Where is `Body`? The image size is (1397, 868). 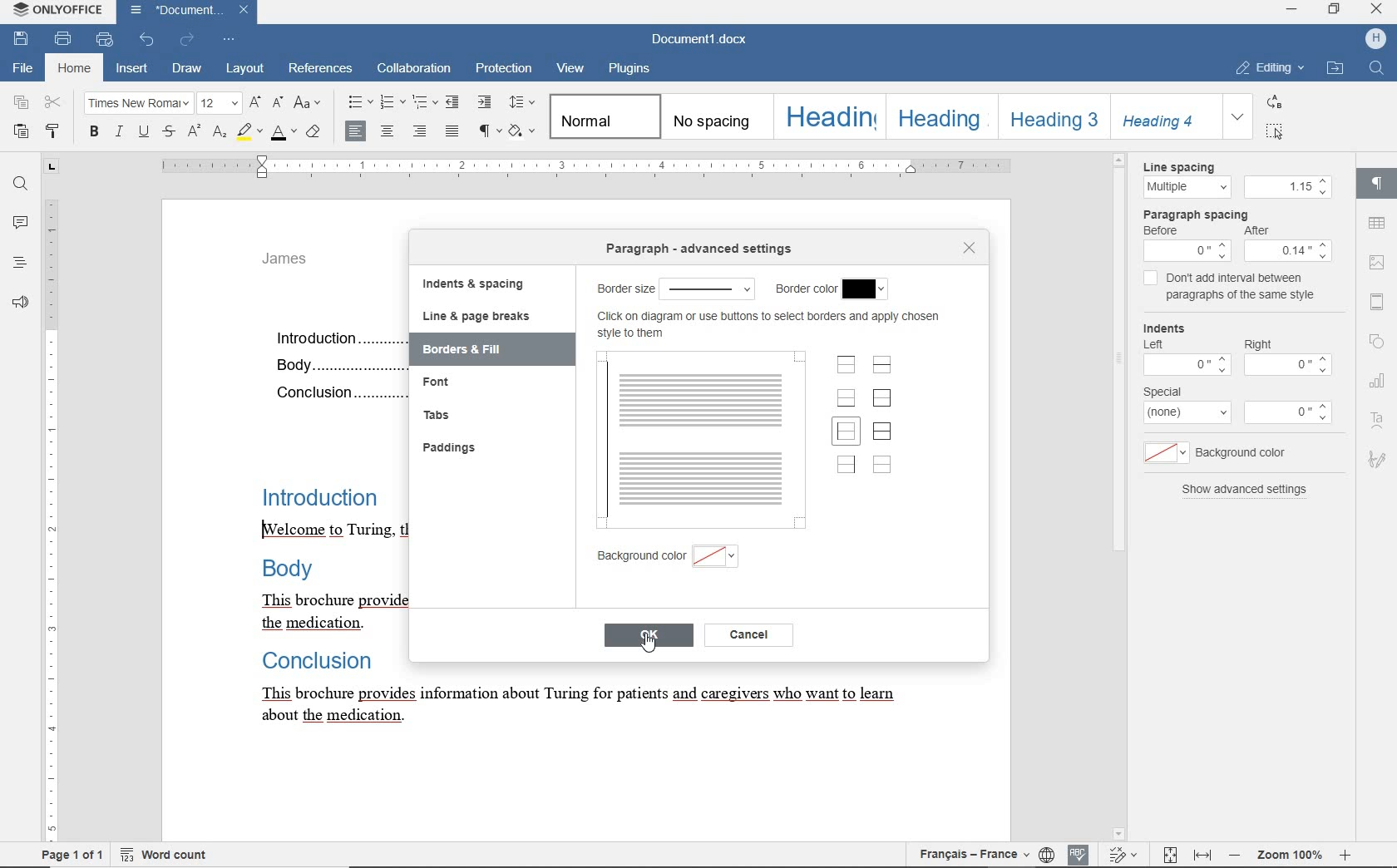
Body is located at coordinates (335, 362).